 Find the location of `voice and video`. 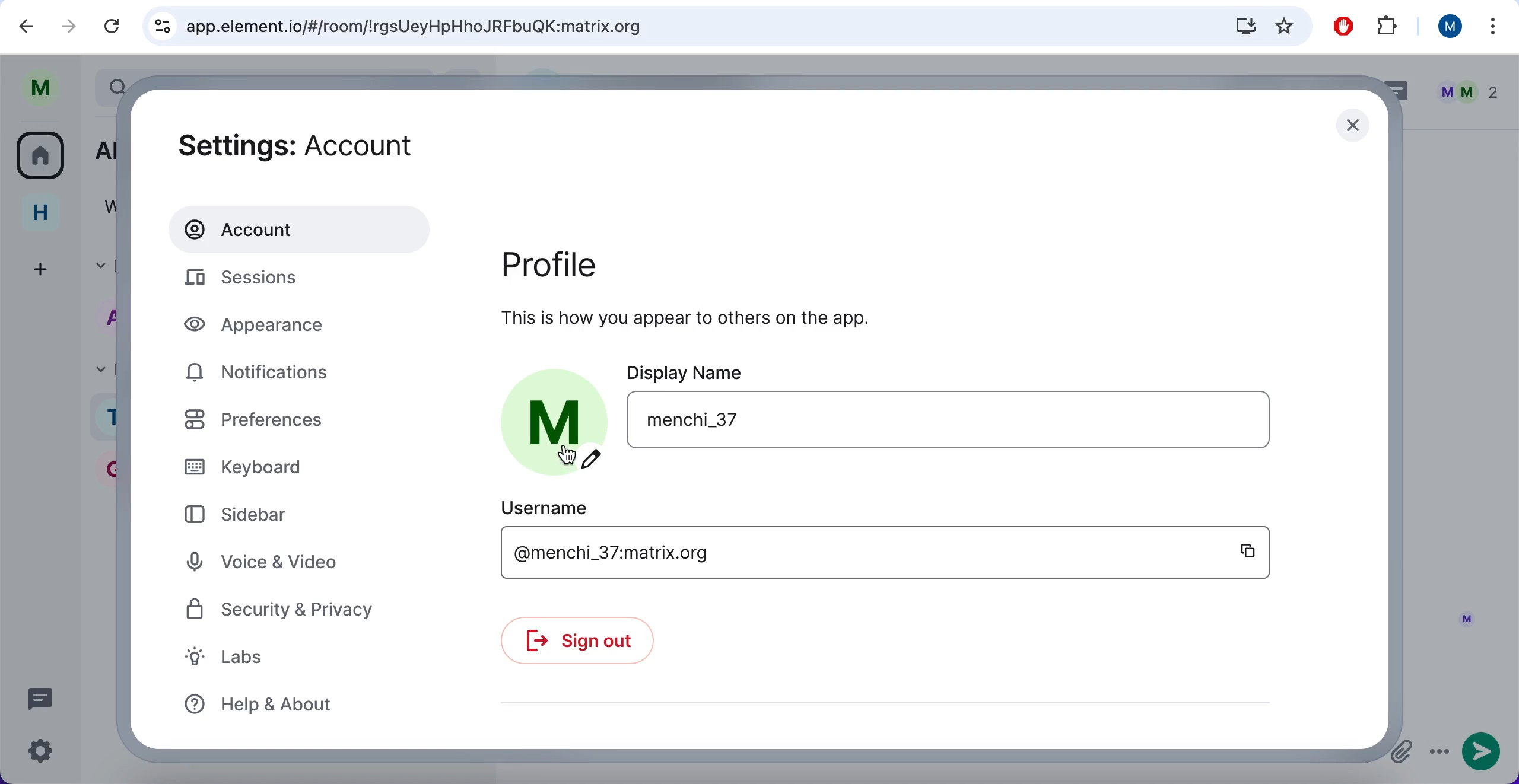

voice and video is located at coordinates (303, 564).